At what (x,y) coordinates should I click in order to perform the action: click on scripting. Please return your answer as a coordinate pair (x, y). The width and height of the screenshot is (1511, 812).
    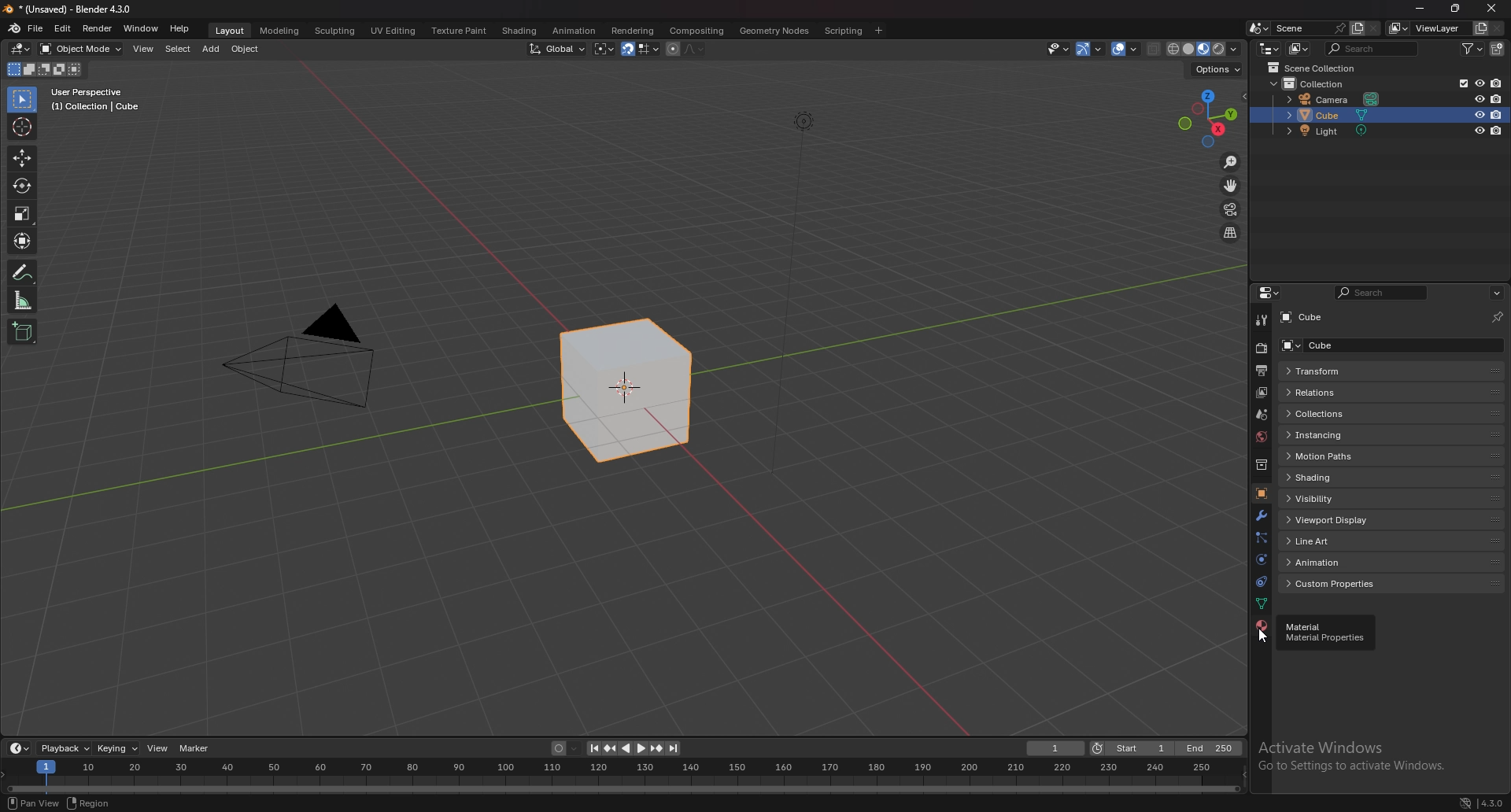
    Looking at the image, I should click on (844, 30).